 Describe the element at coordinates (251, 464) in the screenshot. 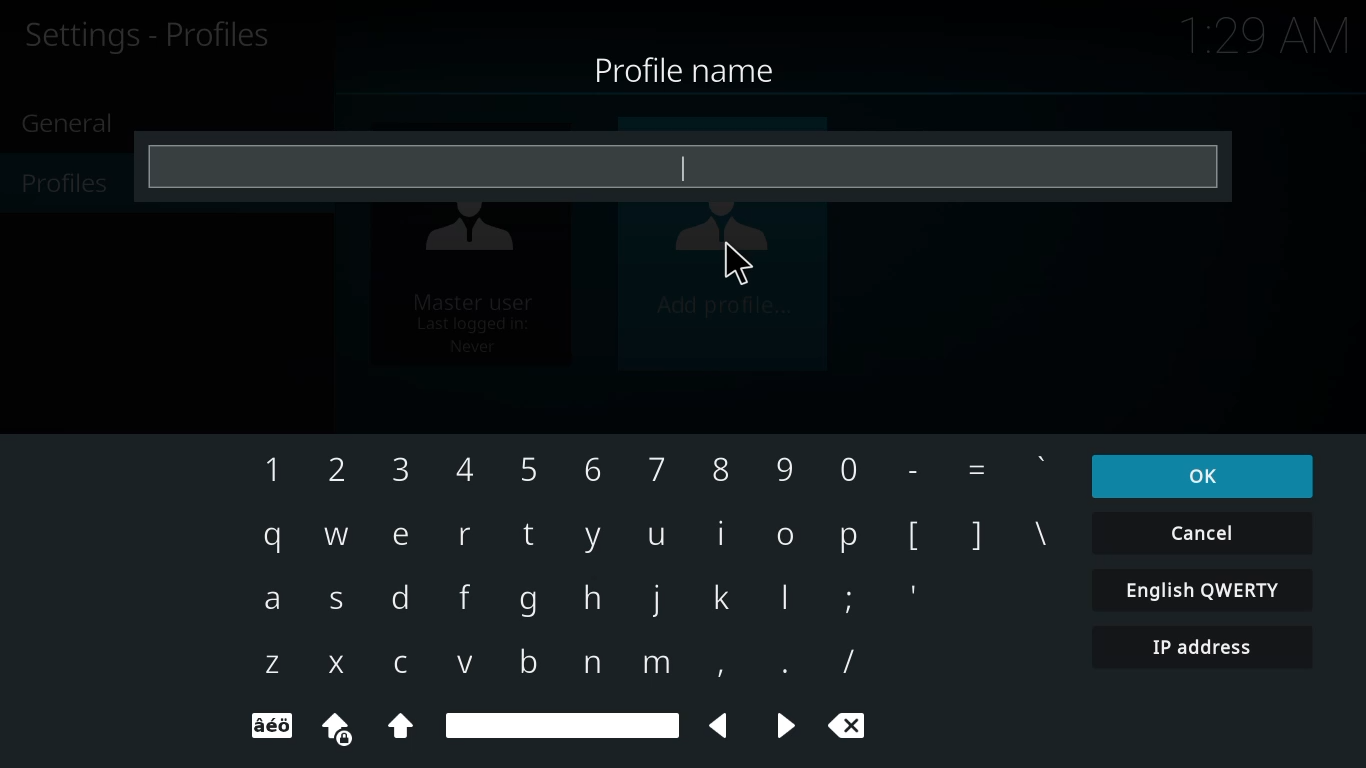

I see `1` at that location.